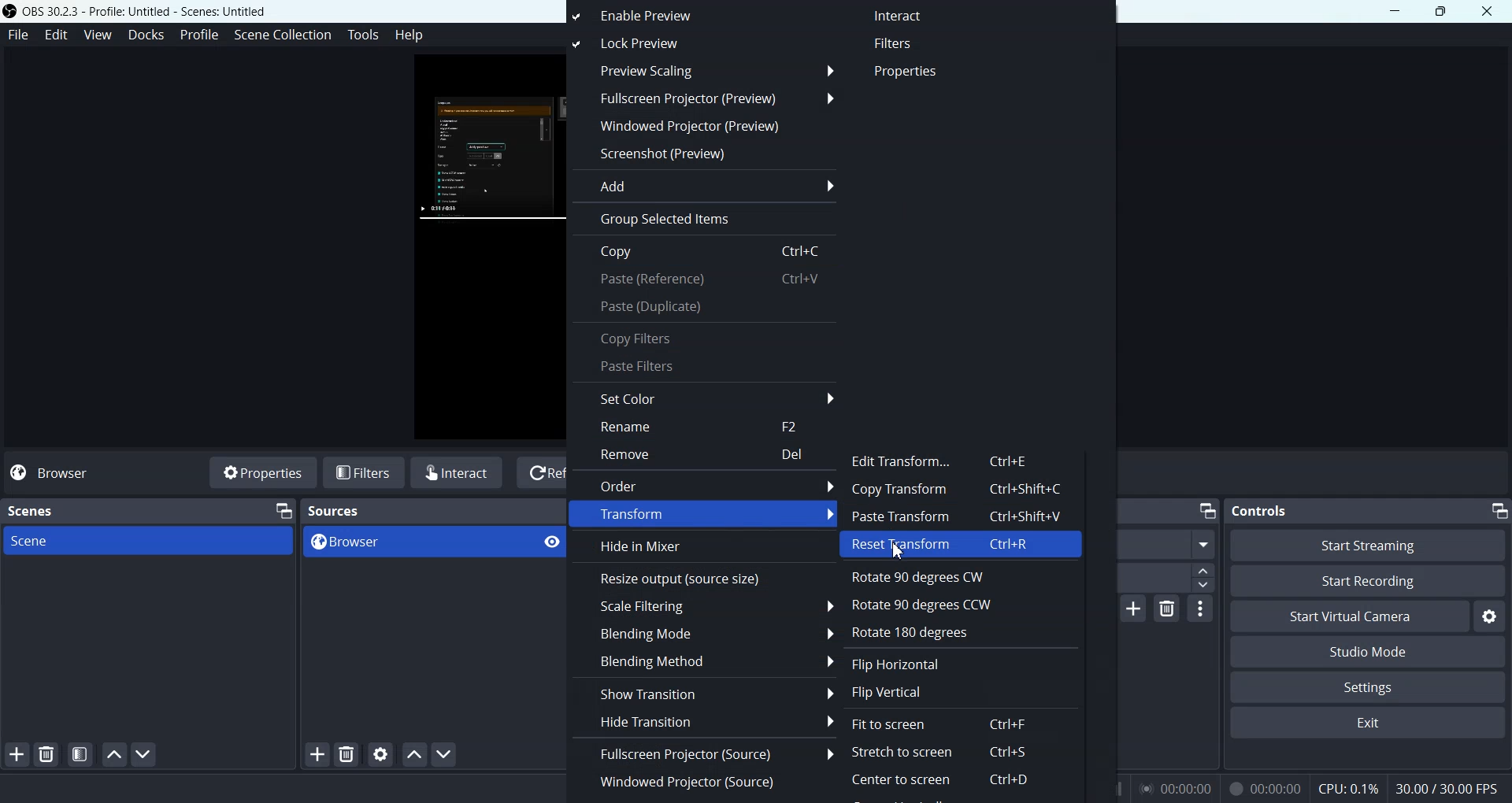 The width and height of the screenshot is (1512, 803). Describe the element at coordinates (1395, 11) in the screenshot. I see `Minimize` at that location.